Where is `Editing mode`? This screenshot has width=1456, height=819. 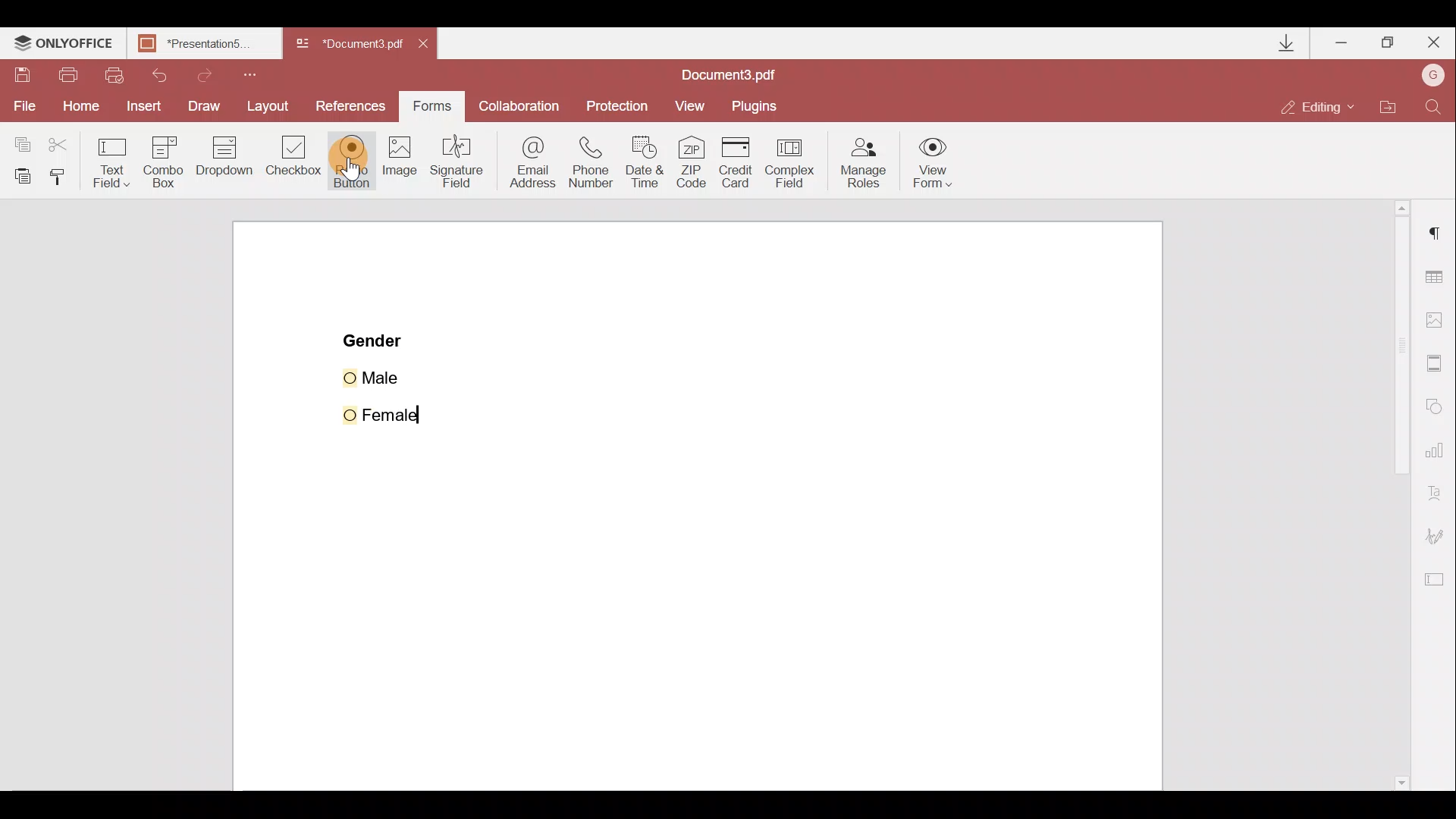
Editing mode is located at coordinates (1323, 101).